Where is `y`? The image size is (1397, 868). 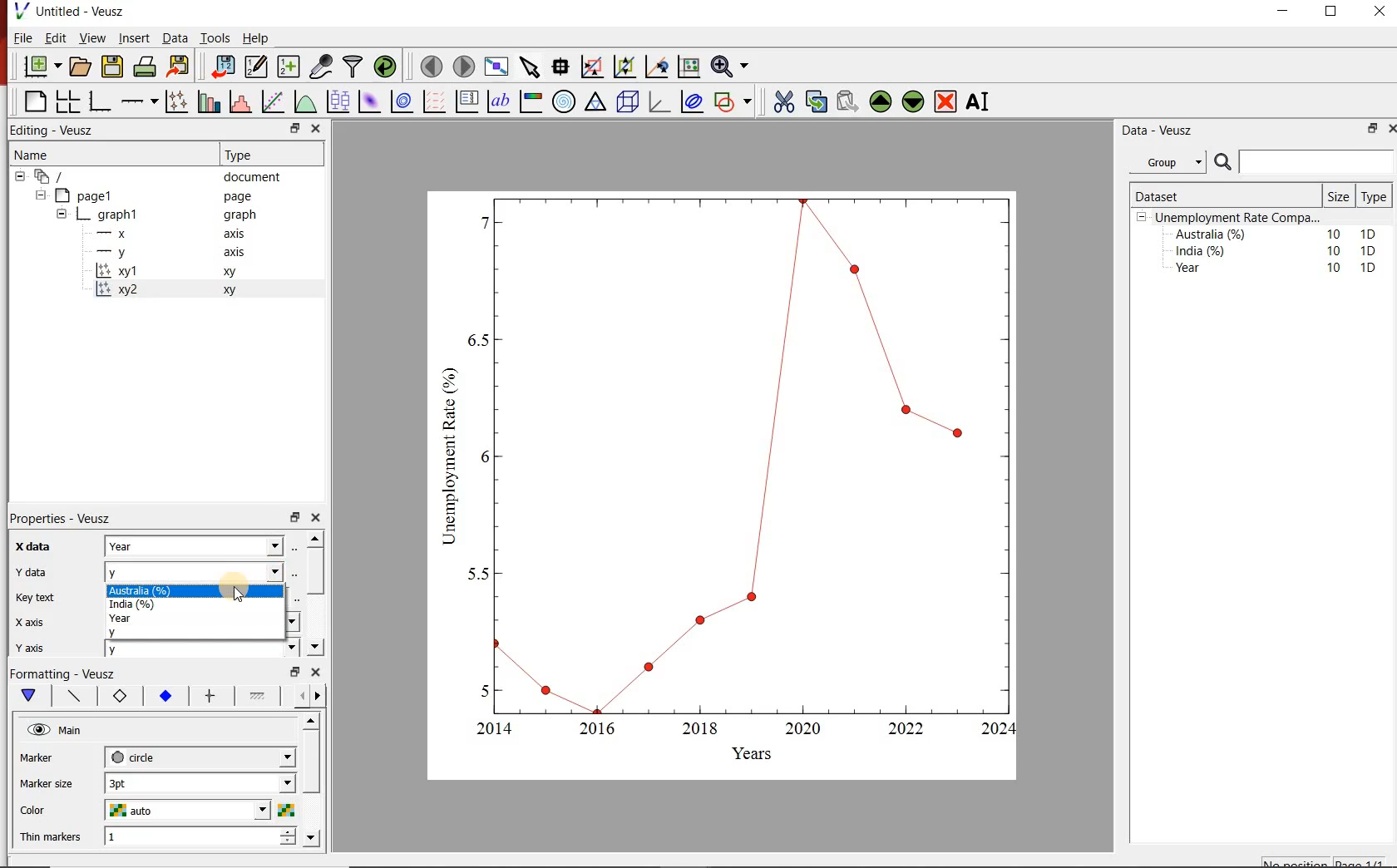 y is located at coordinates (195, 632).